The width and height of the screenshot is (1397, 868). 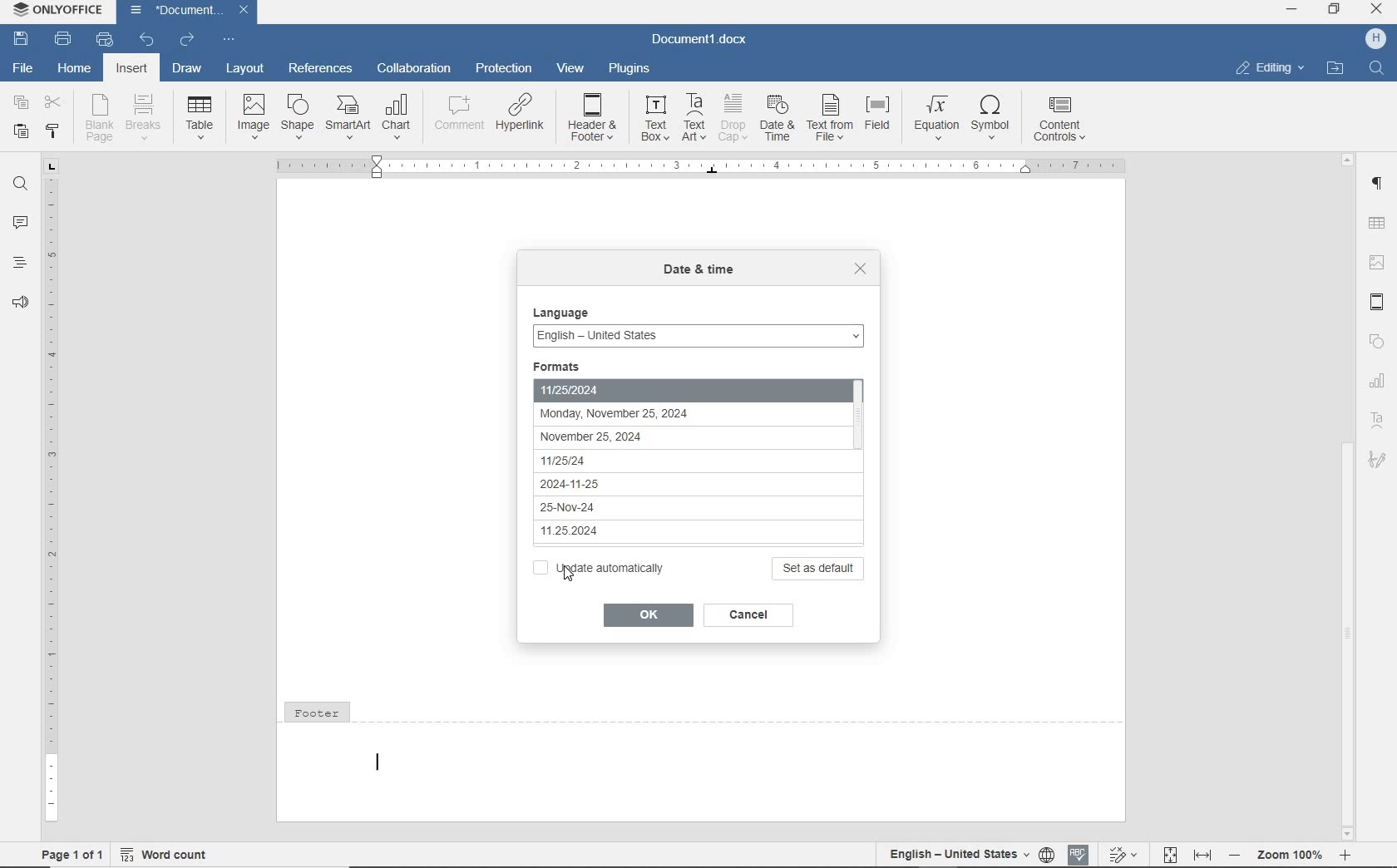 I want to click on paragraph settings, so click(x=1380, y=185).